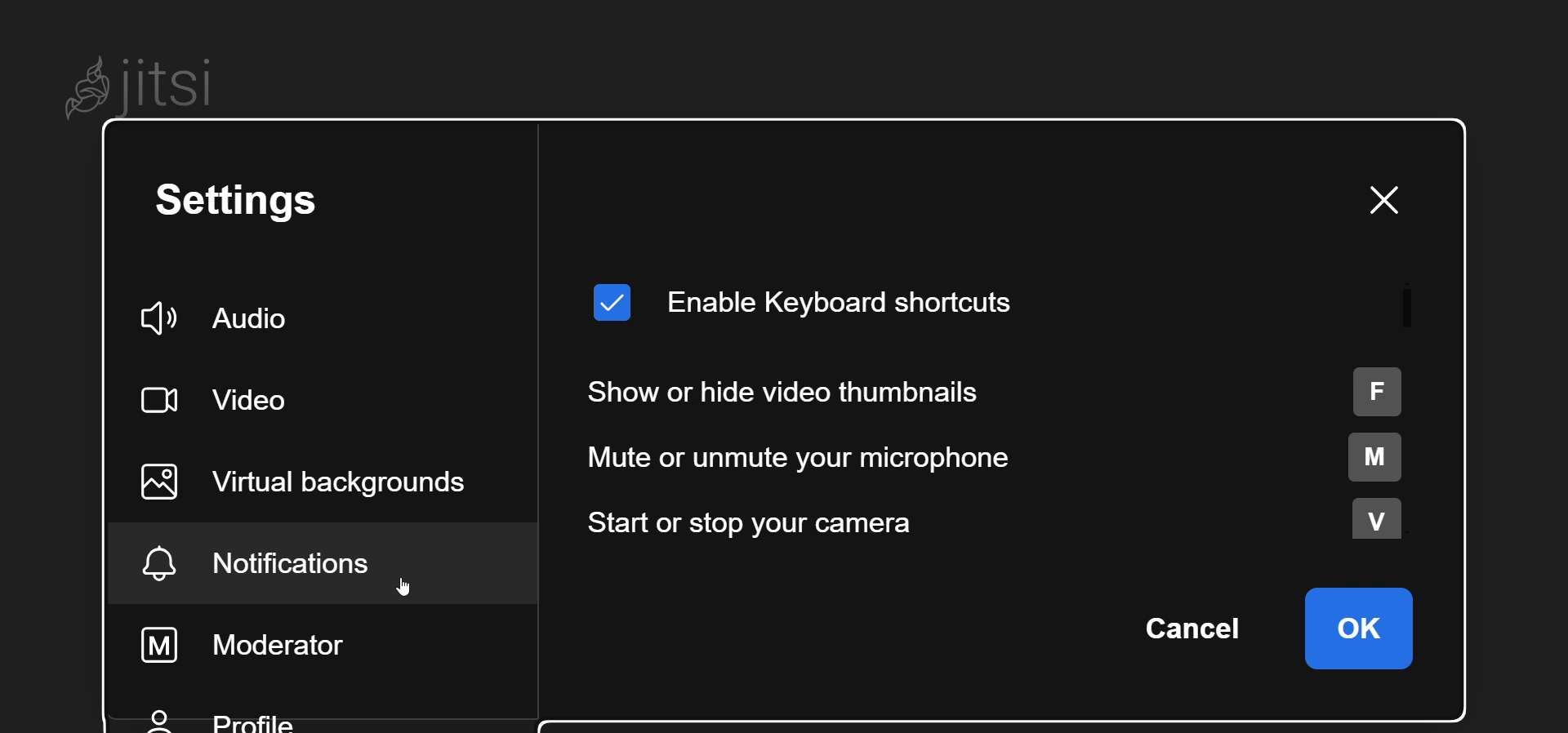 The image size is (1568, 733). I want to click on mute or unmute, so click(1004, 460).